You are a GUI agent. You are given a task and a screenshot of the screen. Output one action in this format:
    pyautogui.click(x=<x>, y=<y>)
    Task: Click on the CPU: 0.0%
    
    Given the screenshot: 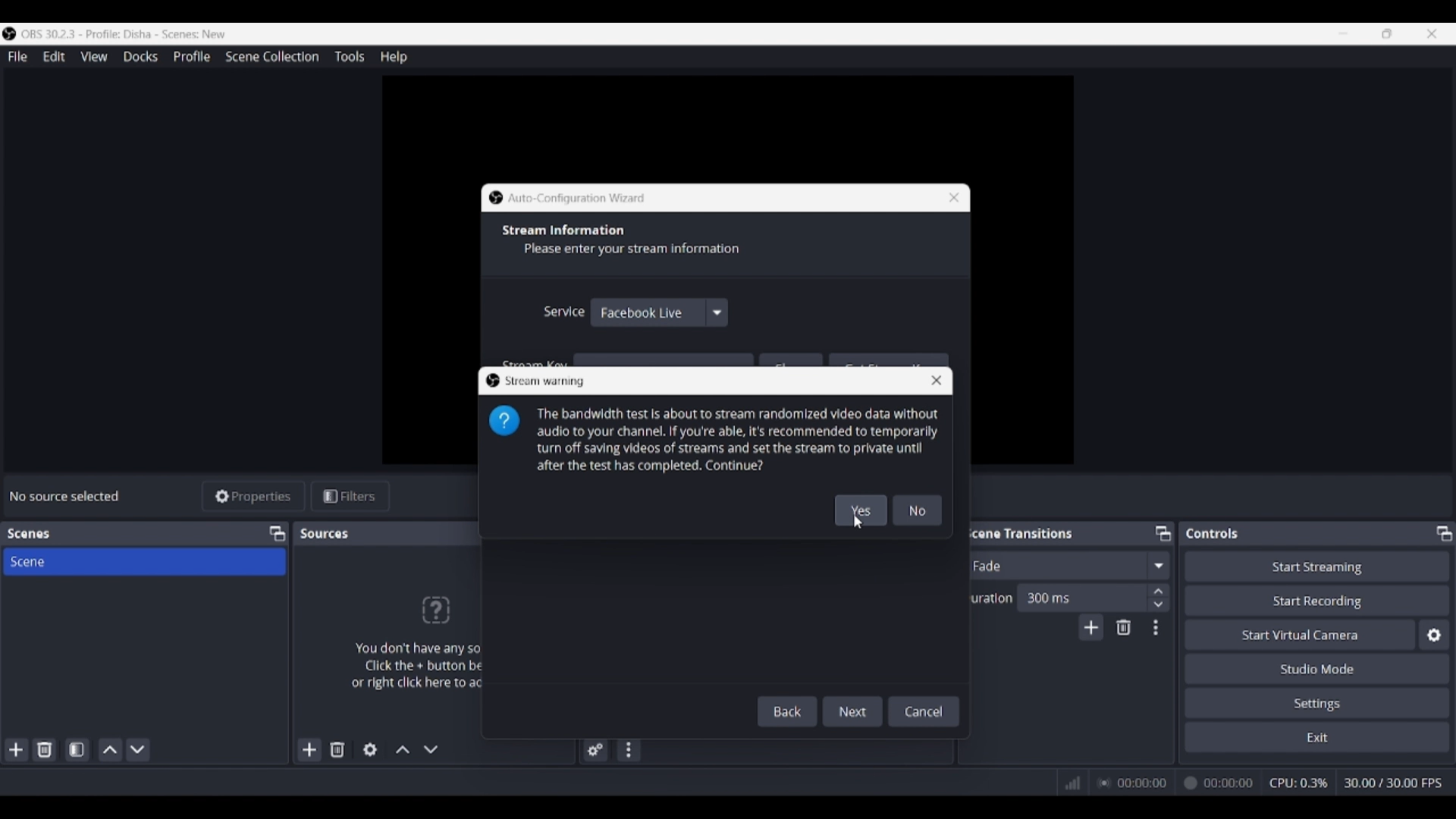 What is the action you would take?
    pyautogui.click(x=1303, y=784)
    